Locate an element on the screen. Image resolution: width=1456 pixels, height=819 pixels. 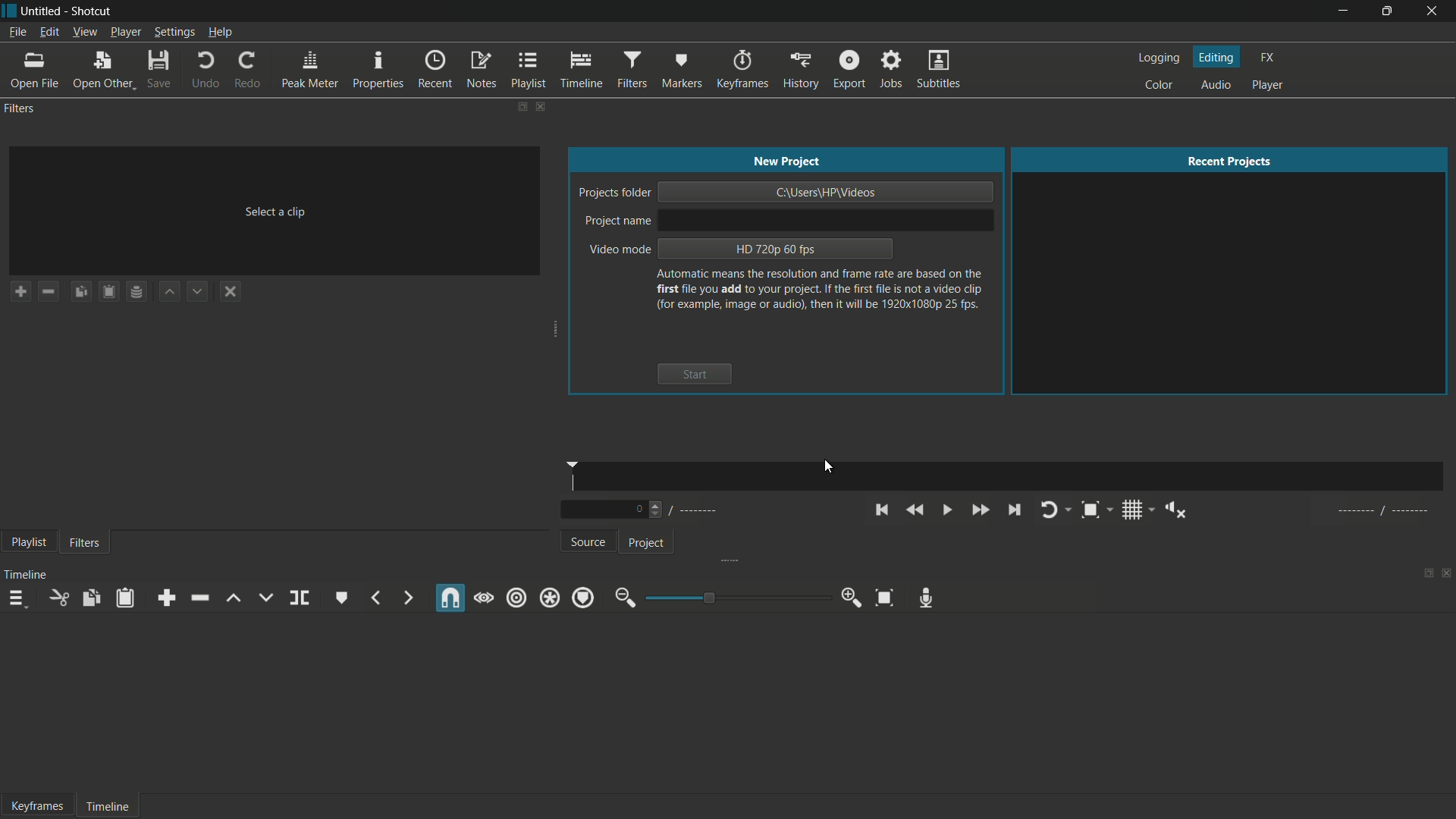
lift is located at coordinates (231, 598).